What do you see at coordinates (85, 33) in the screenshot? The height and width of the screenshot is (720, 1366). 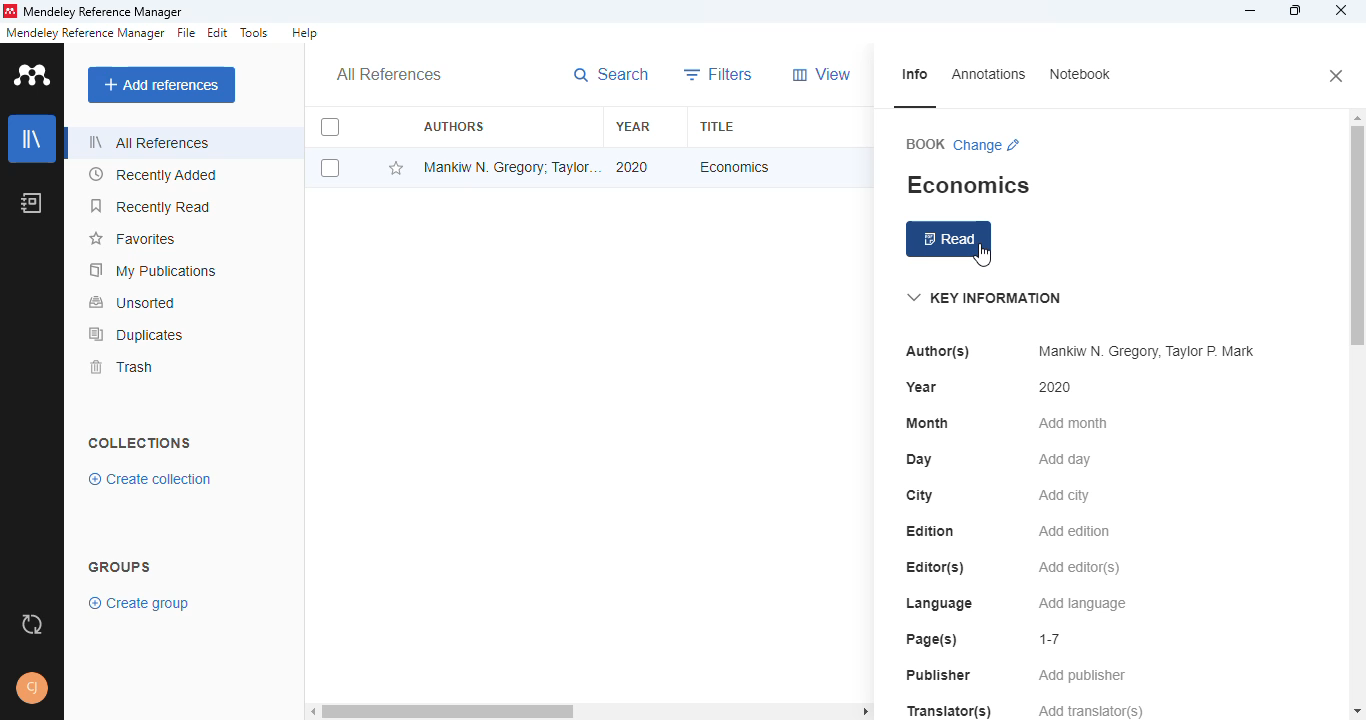 I see `mendeley reference manager` at bounding box center [85, 33].